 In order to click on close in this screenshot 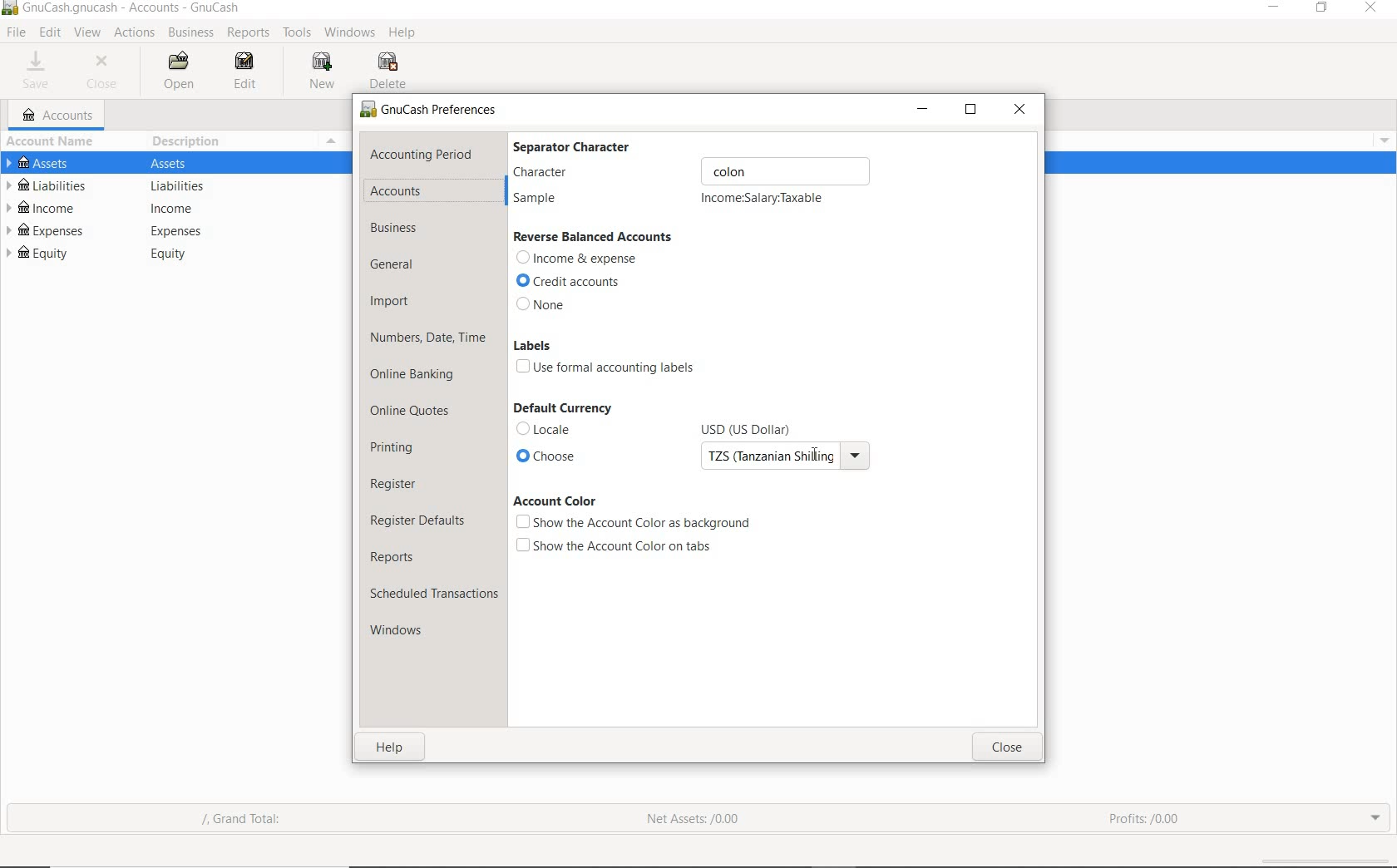, I will do `click(1373, 9)`.